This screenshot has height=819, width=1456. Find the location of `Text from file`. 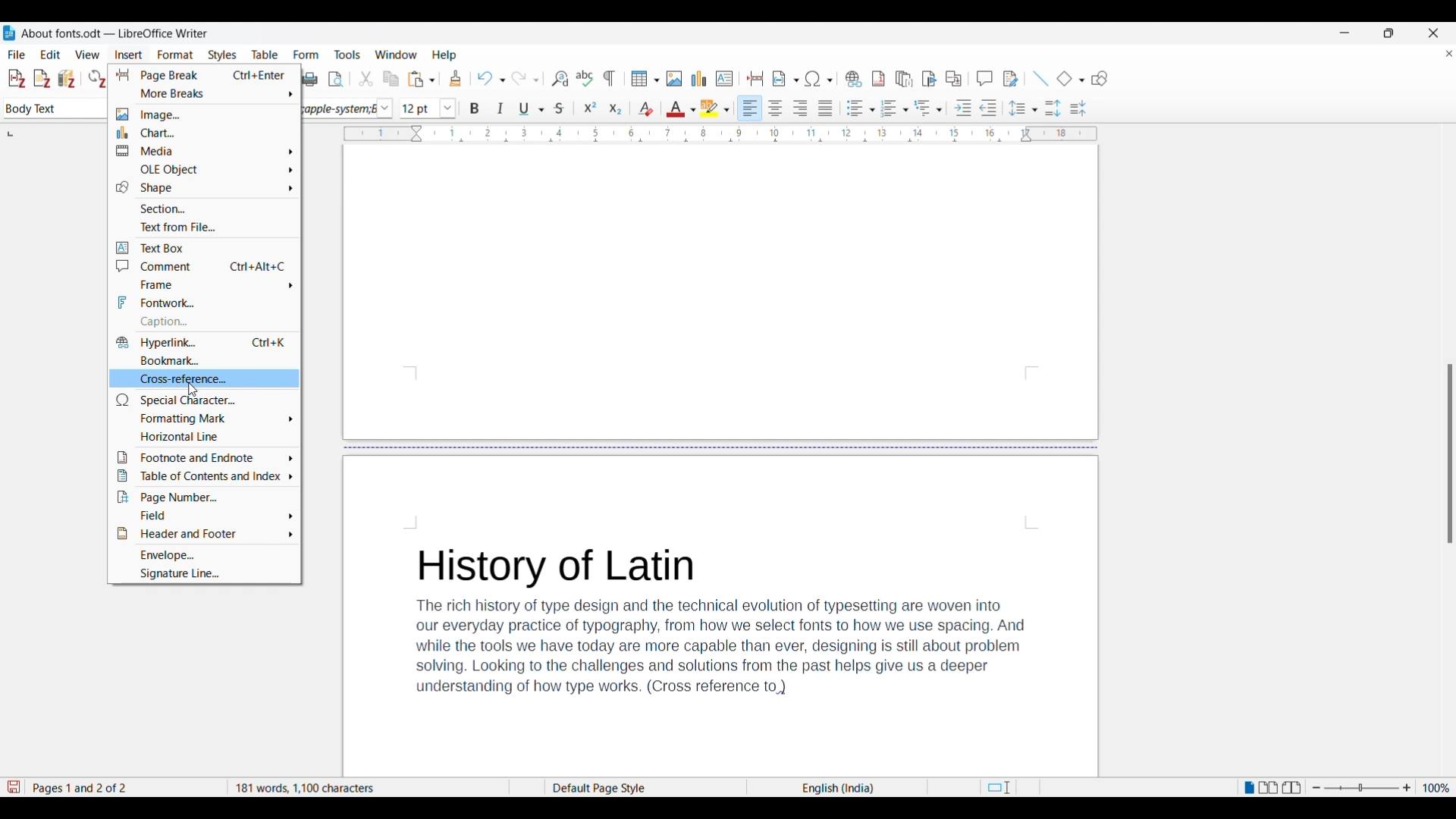

Text from file is located at coordinates (204, 227).